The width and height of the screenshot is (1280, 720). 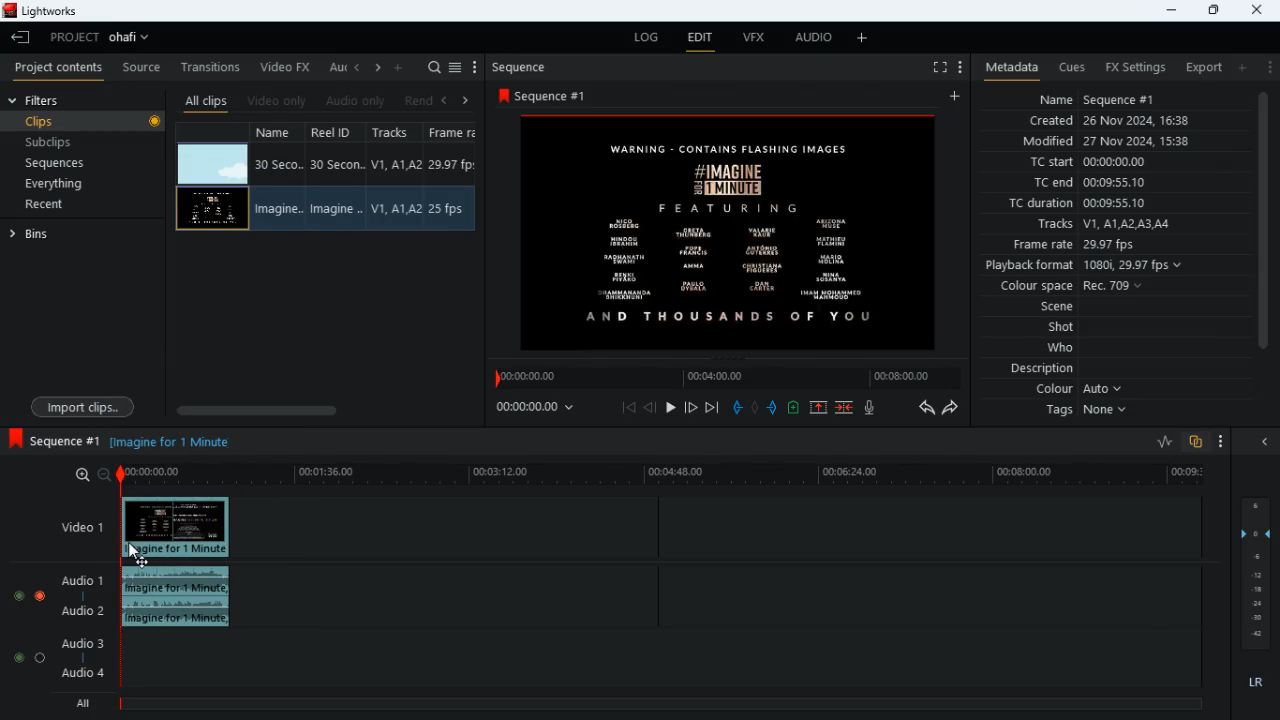 I want to click on ratio, so click(x=1166, y=441).